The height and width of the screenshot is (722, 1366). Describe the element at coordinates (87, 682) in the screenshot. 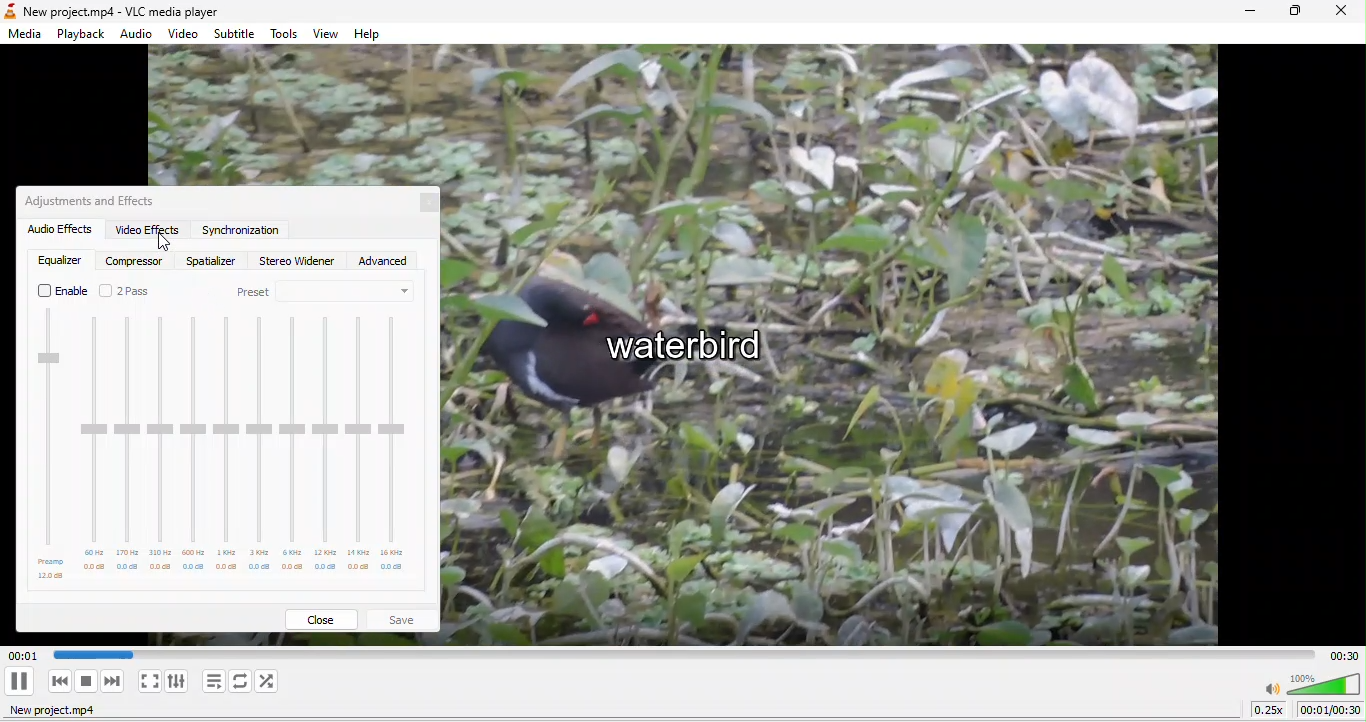

I see `stop playback` at that location.